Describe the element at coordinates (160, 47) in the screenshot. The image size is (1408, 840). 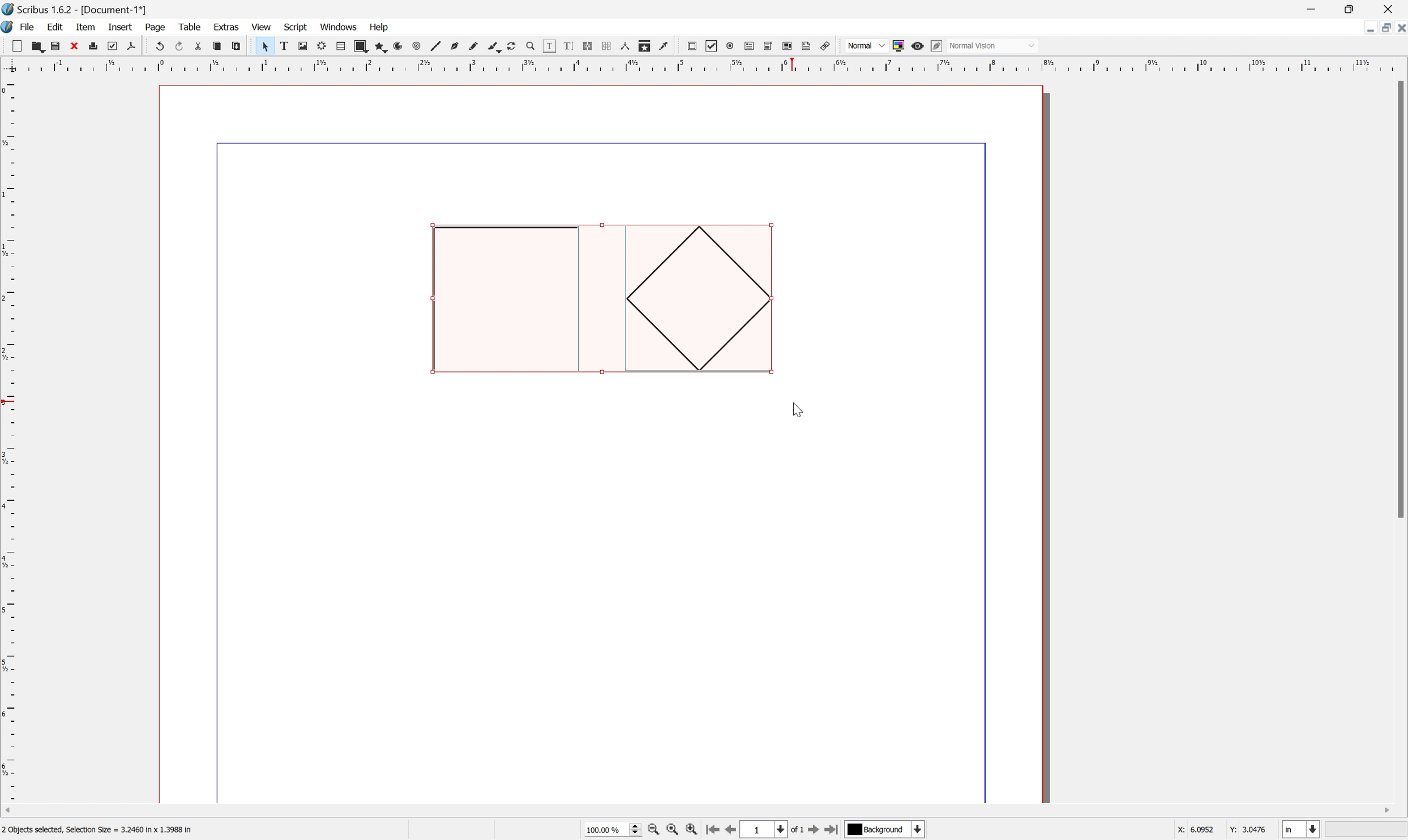
I see `undo` at that location.